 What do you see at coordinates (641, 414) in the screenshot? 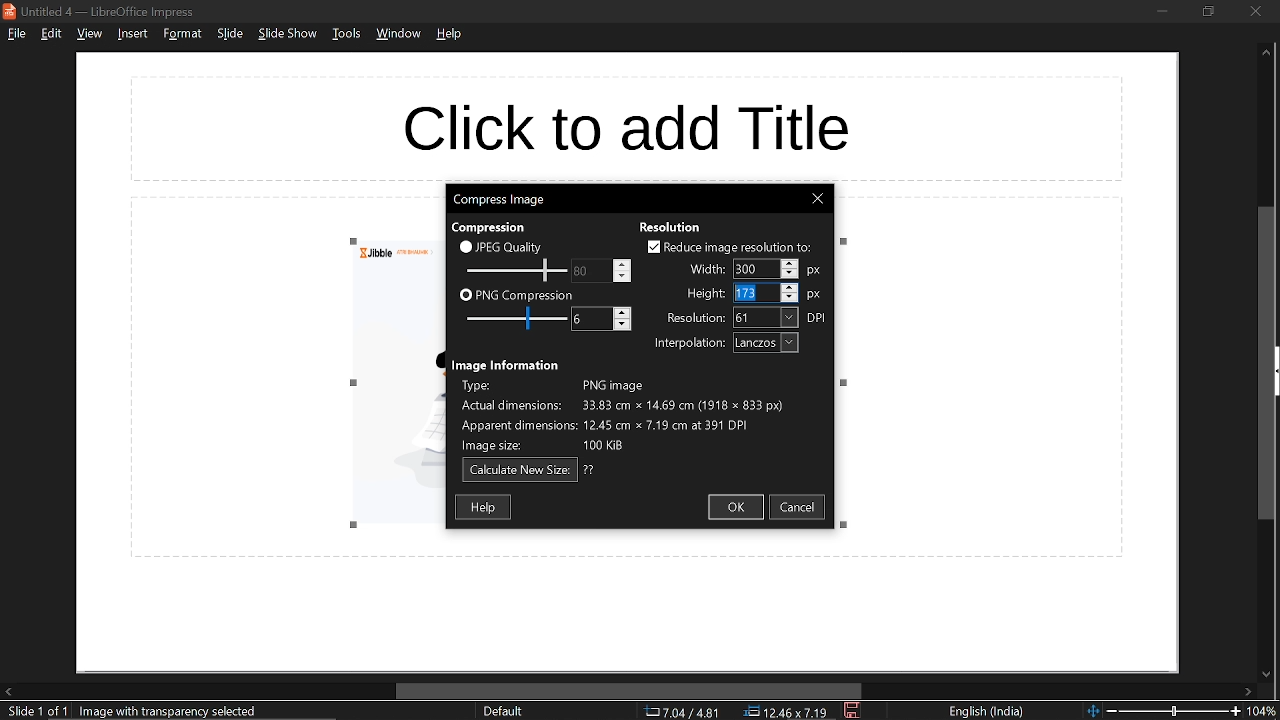
I see `Image information` at bounding box center [641, 414].